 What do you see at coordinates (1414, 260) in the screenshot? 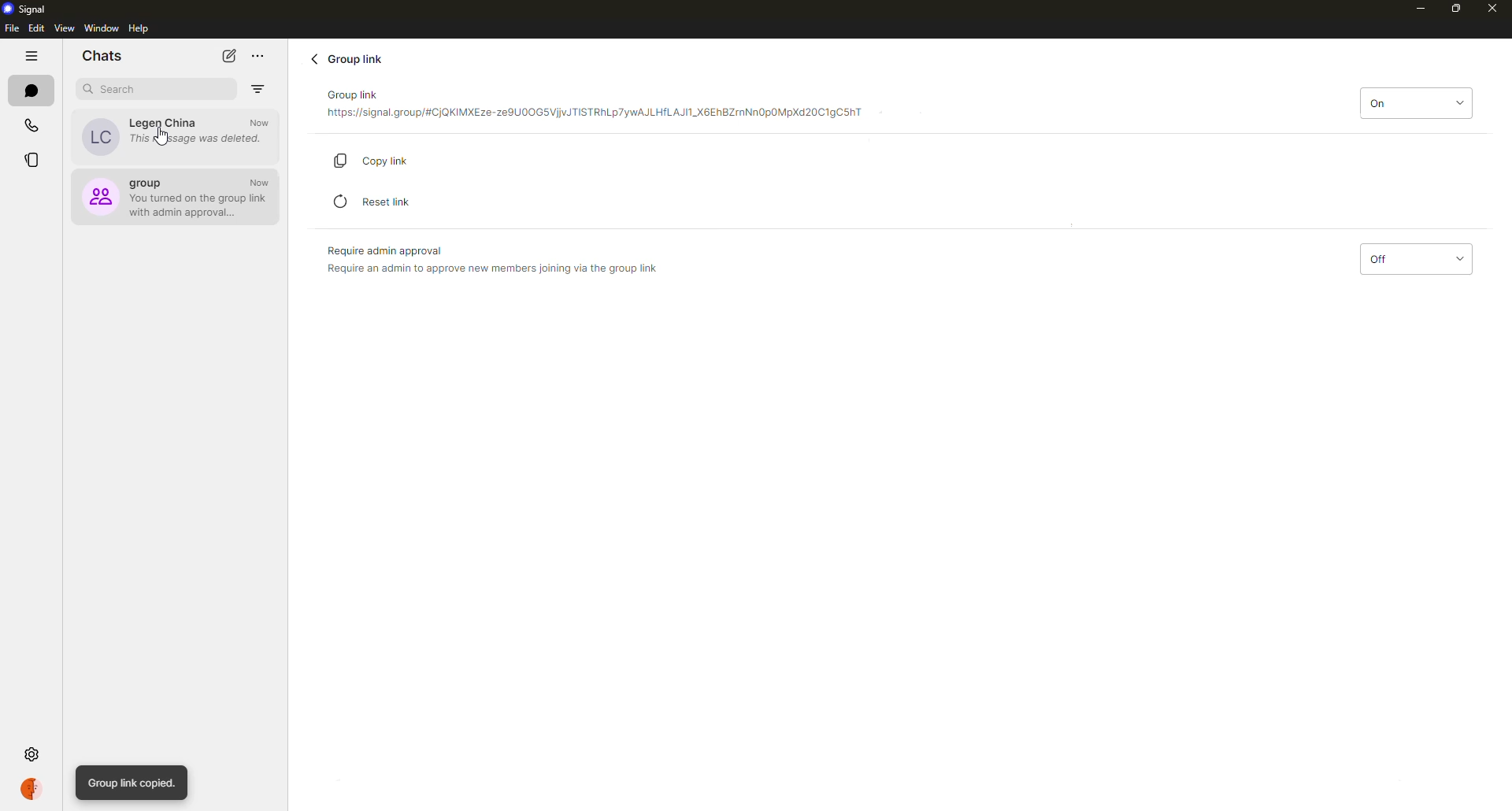
I see `off` at bounding box center [1414, 260].